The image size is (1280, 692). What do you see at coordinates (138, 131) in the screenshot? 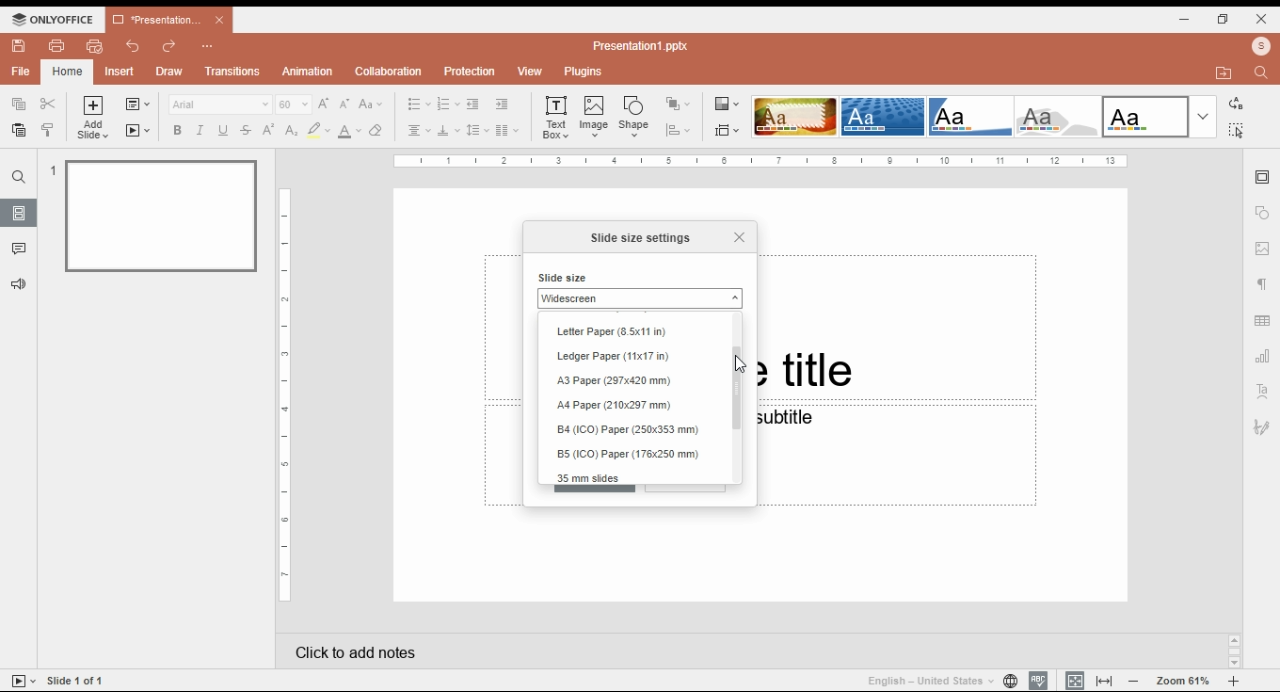
I see `start slideshow` at bounding box center [138, 131].